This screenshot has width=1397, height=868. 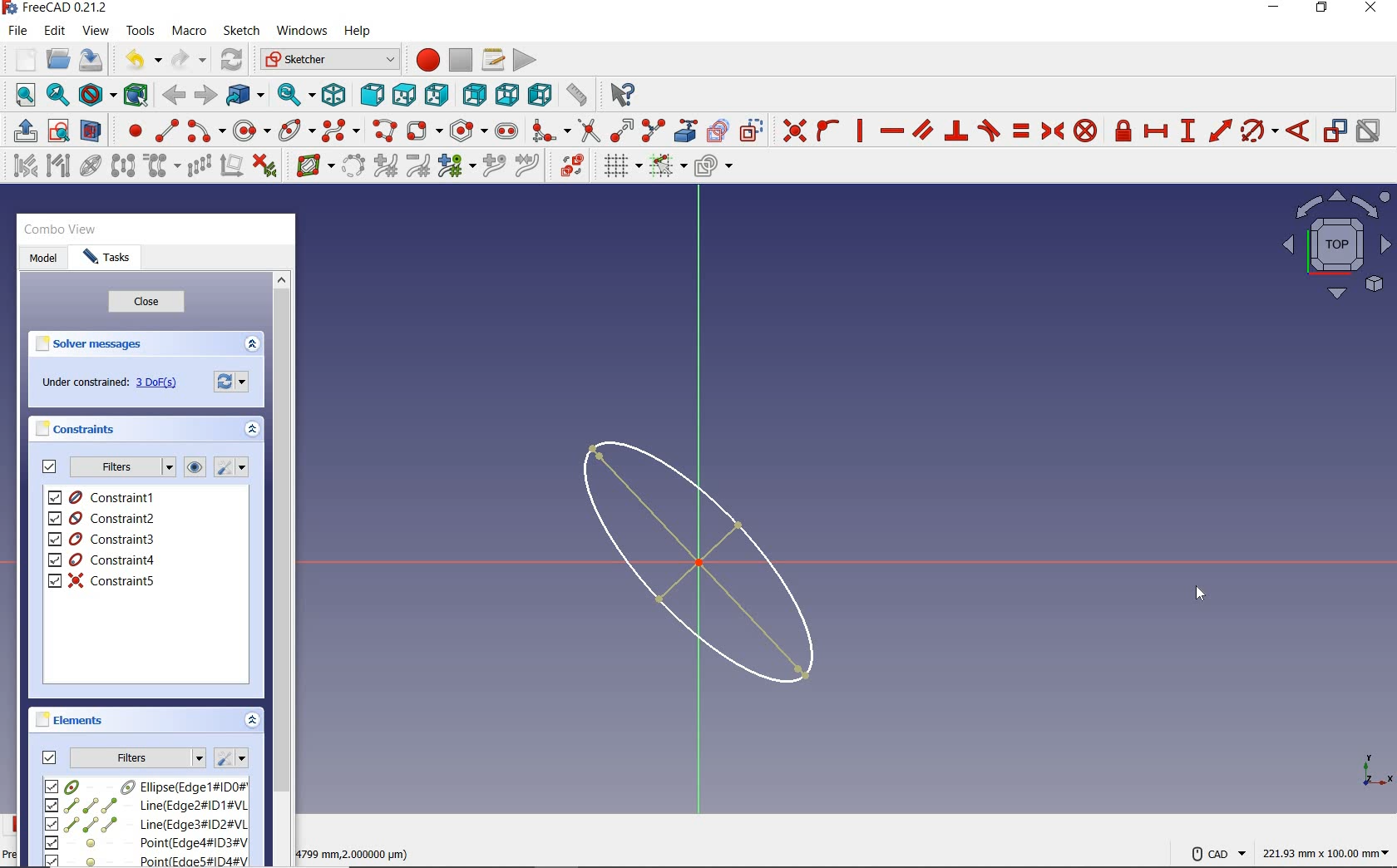 I want to click on macro, so click(x=190, y=32).